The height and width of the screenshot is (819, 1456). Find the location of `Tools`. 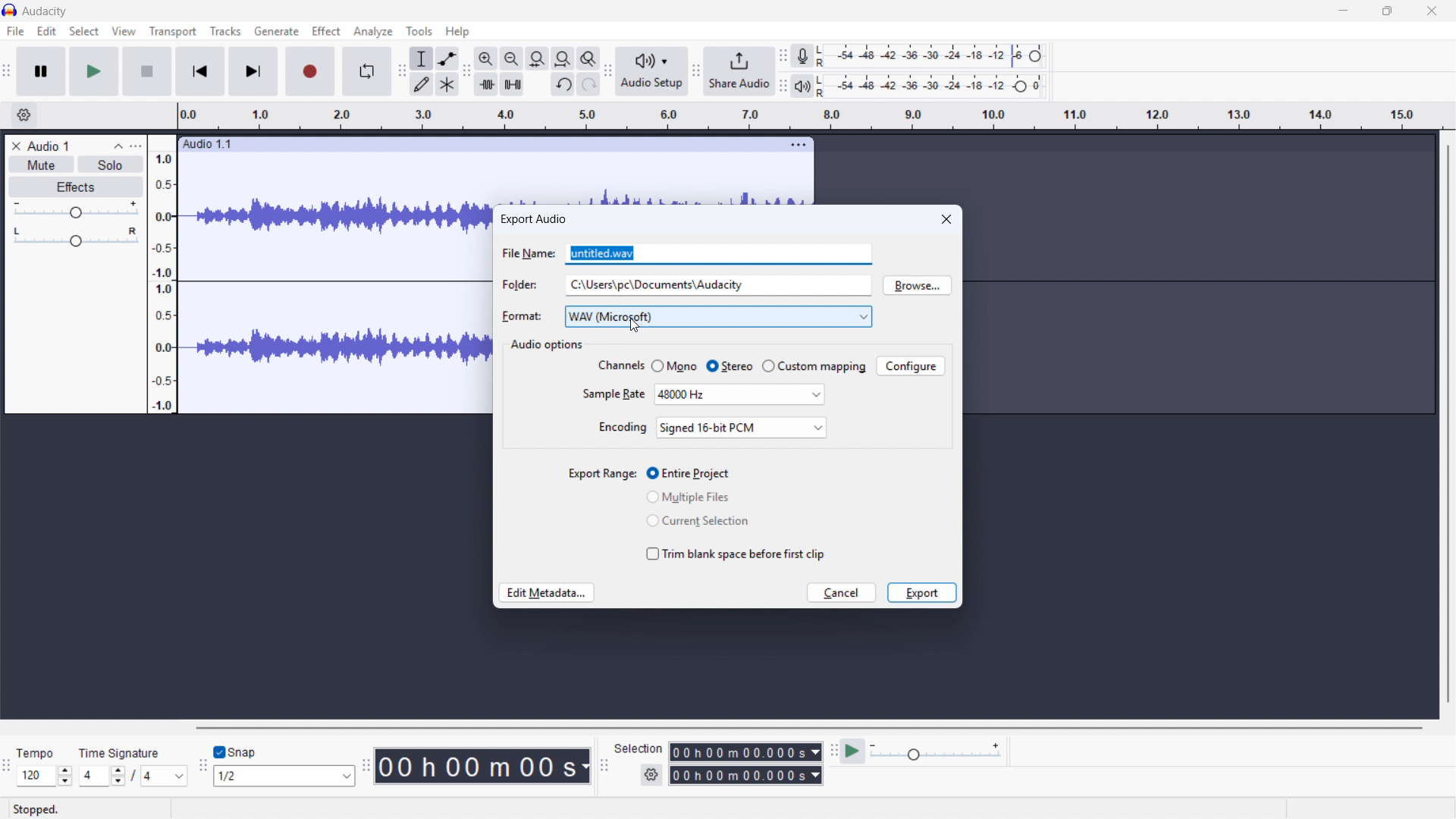

Tools is located at coordinates (420, 30).